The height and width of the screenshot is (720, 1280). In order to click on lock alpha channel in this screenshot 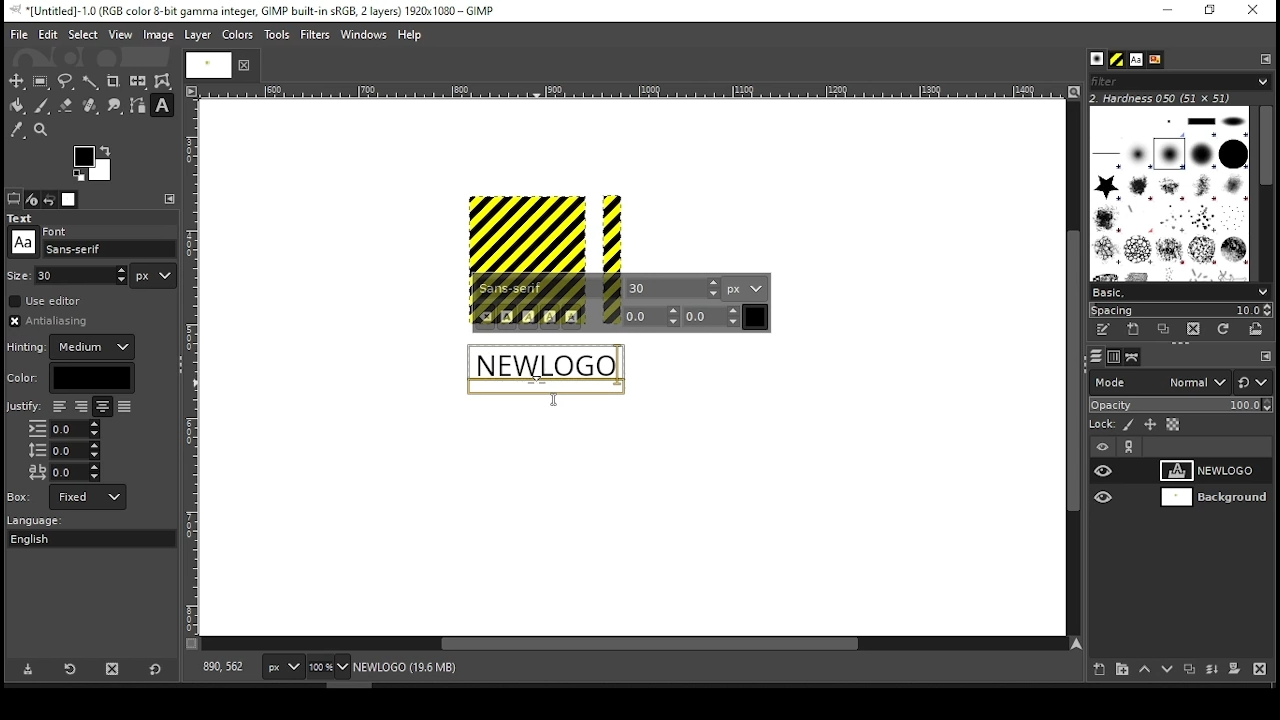, I will do `click(1172, 425)`.